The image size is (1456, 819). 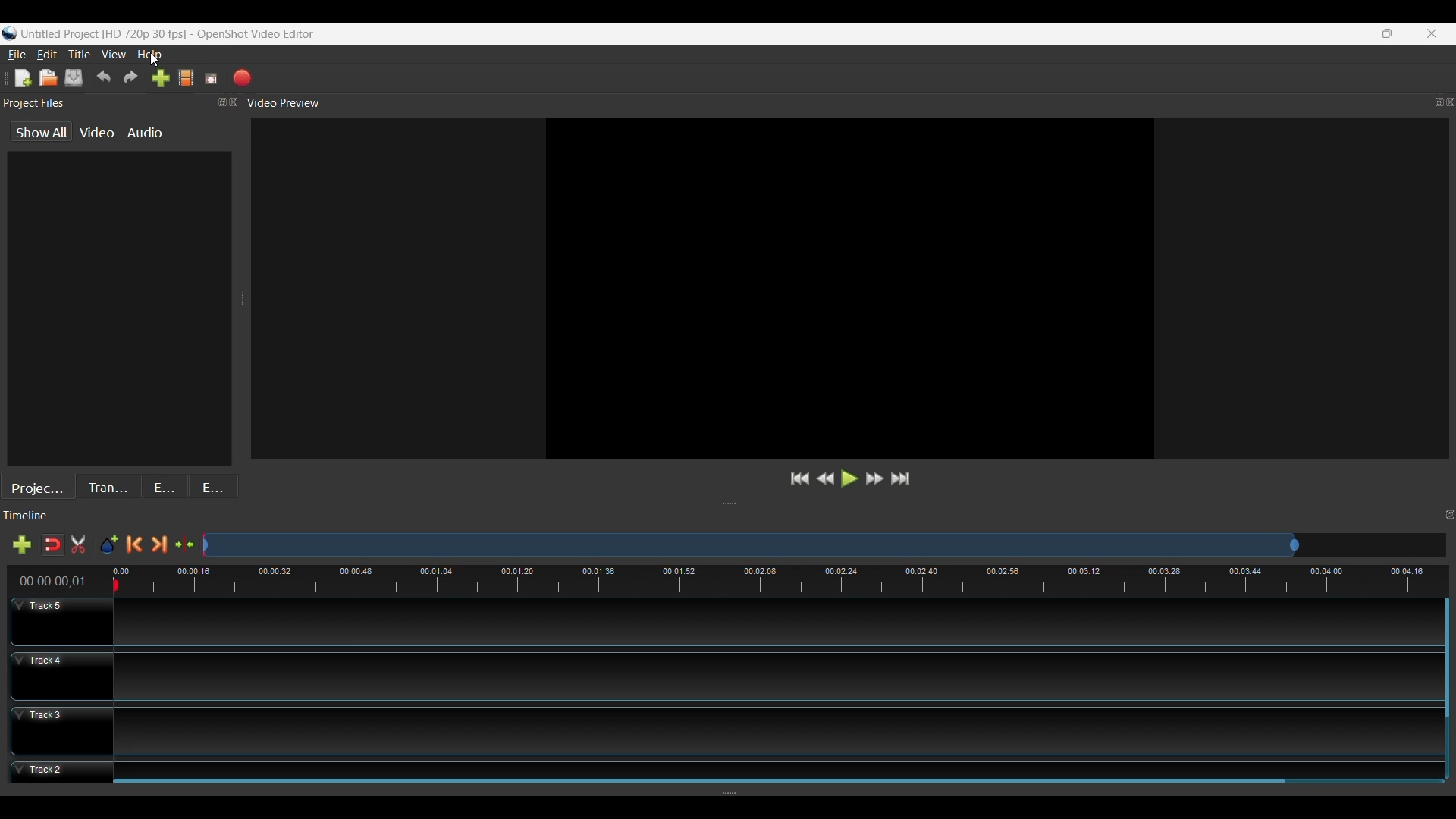 What do you see at coordinates (824, 544) in the screenshot?
I see `Zoom Slider` at bounding box center [824, 544].